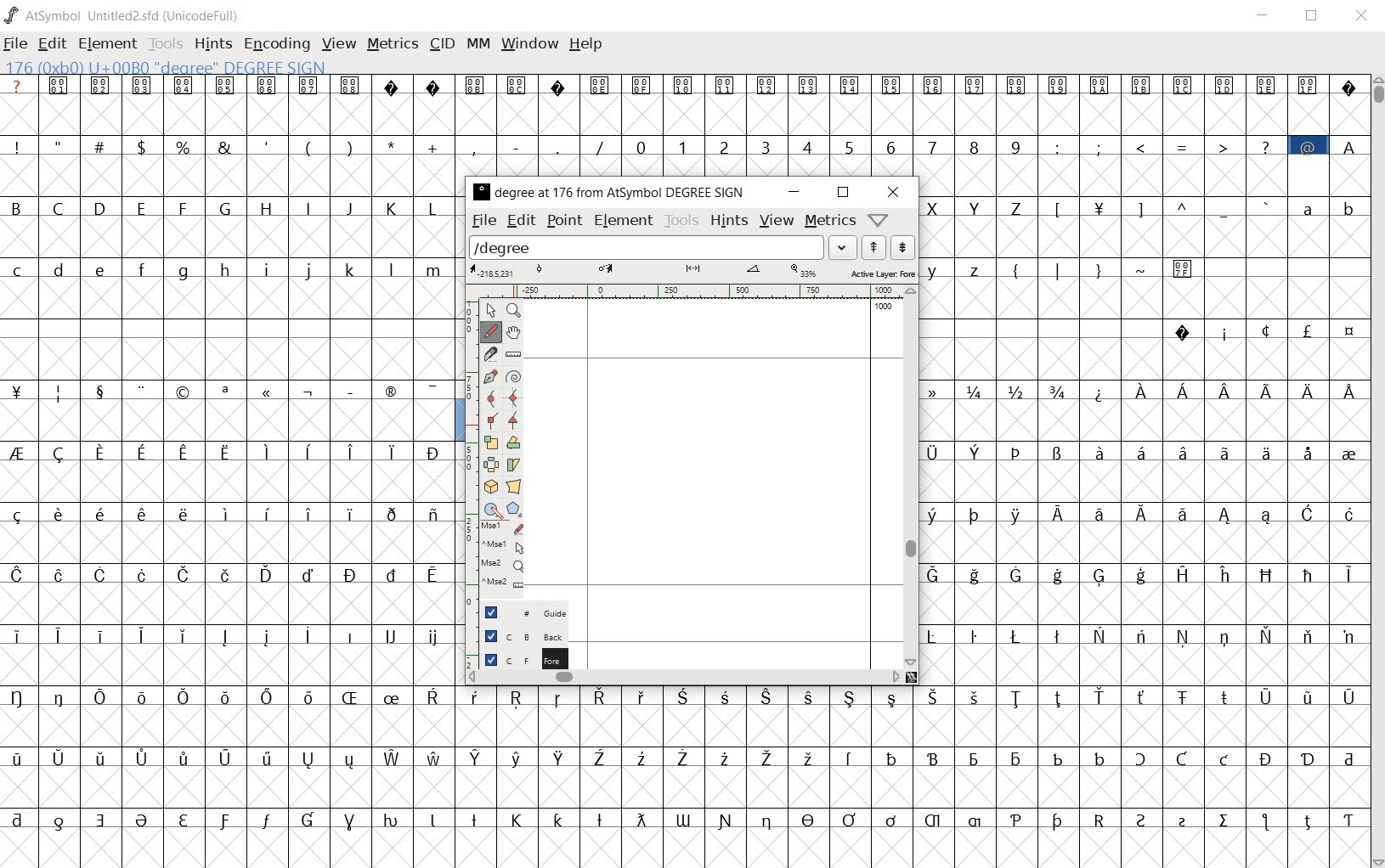 This screenshot has width=1385, height=868. What do you see at coordinates (1225, 392) in the screenshot?
I see `Special letters` at bounding box center [1225, 392].